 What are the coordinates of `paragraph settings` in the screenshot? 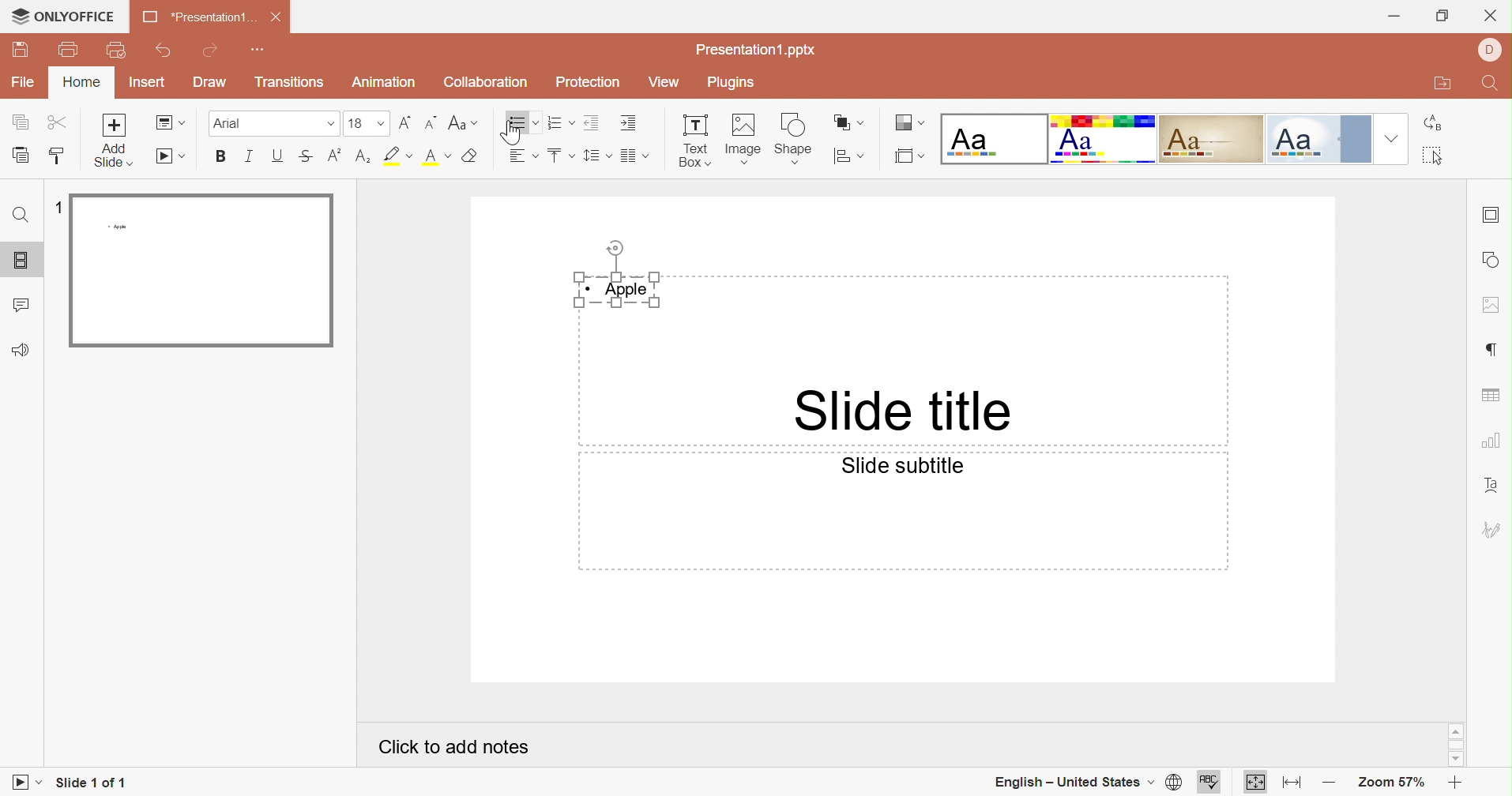 It's located at (1495, 346).